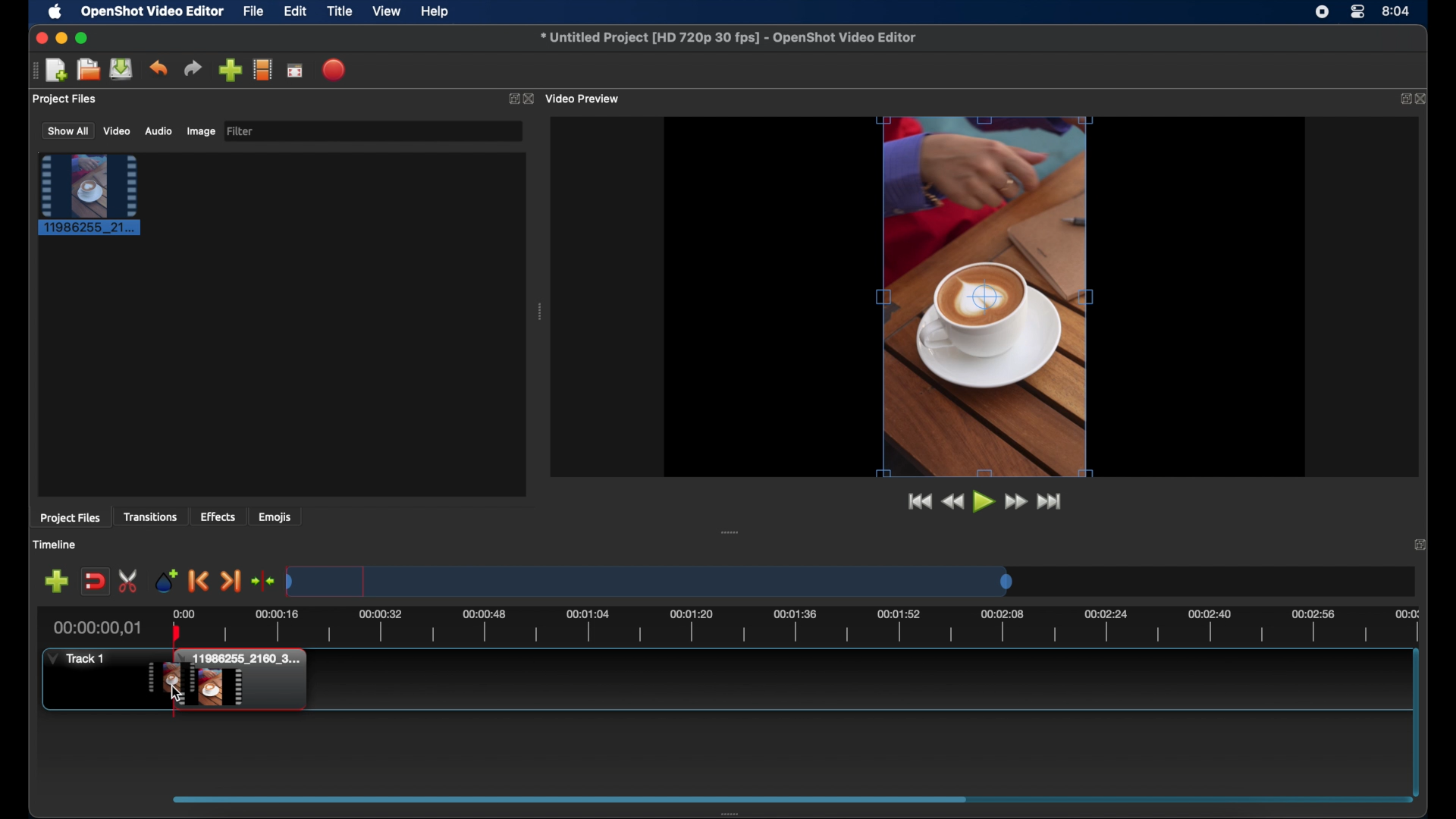 The width and height of the screenshot is (1456, 819). What do you see at coordinates (159, 68) in the screenshot?
I see `undo` at bounding box center [159, 68].